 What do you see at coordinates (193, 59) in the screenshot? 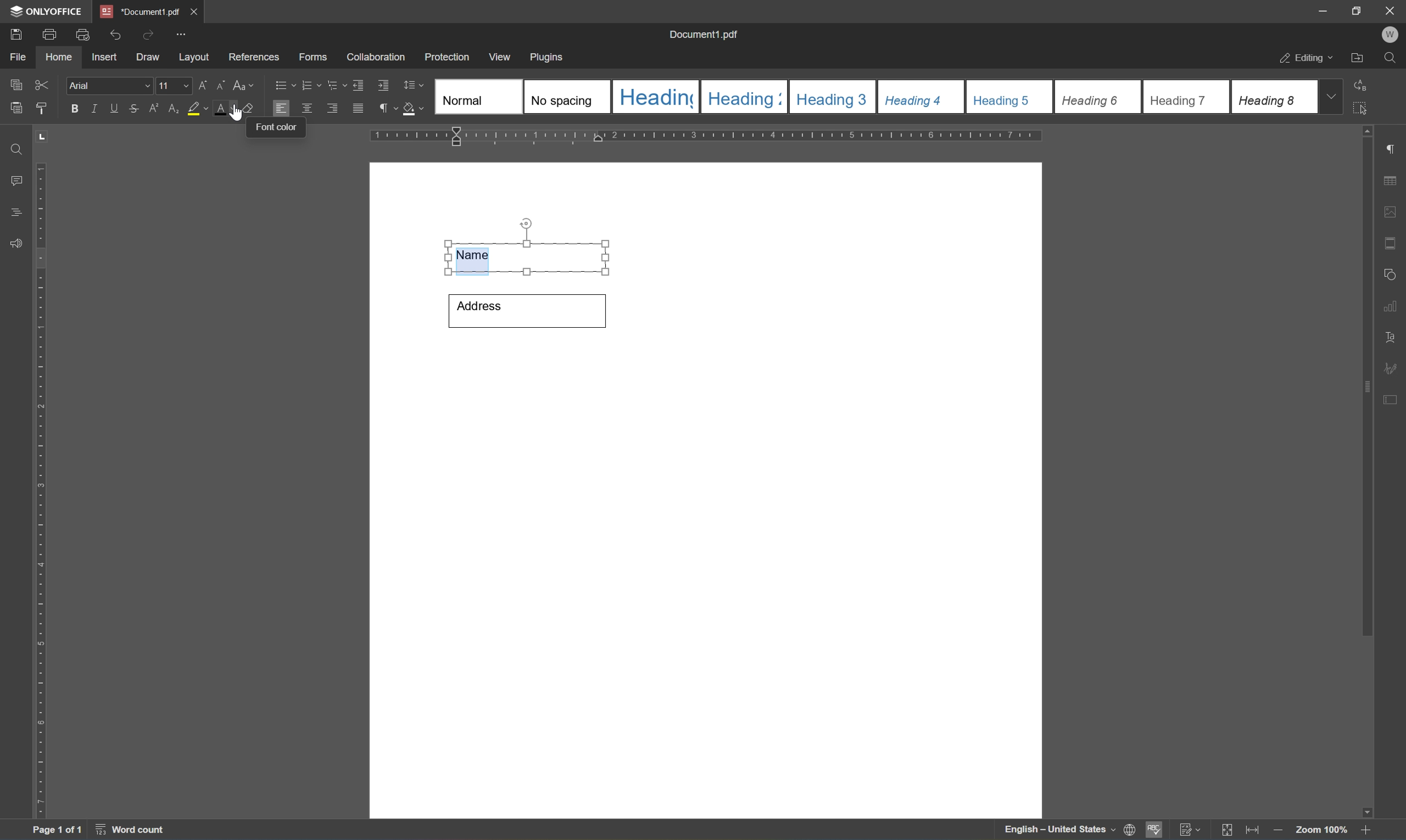
I see `layout` at bounding box center [193, 59].